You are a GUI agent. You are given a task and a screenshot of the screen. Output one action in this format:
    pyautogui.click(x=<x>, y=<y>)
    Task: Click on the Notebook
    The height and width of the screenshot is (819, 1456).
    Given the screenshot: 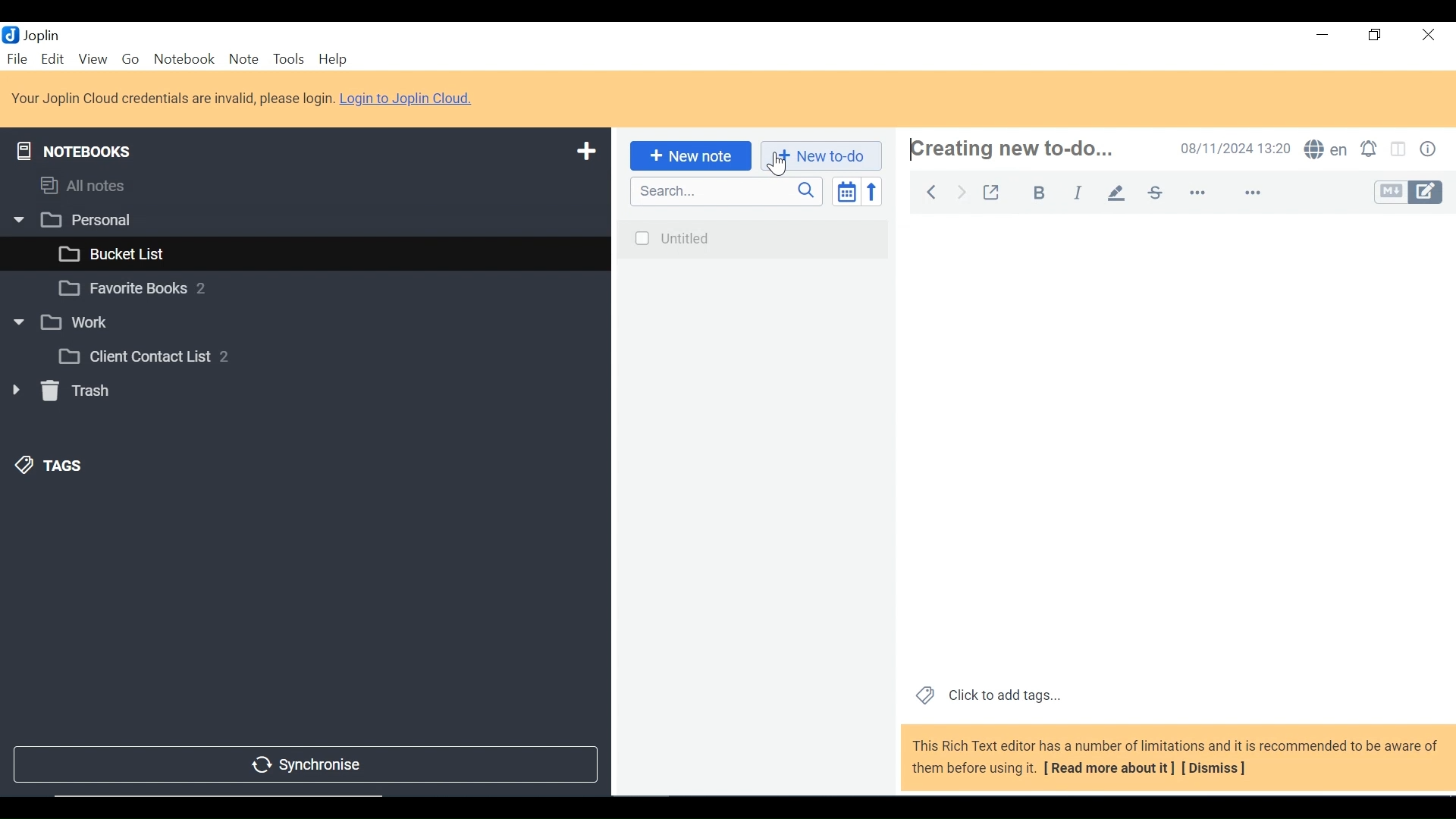 What is the action you would take?
    pyautogui.click(x=303, y=218)
    